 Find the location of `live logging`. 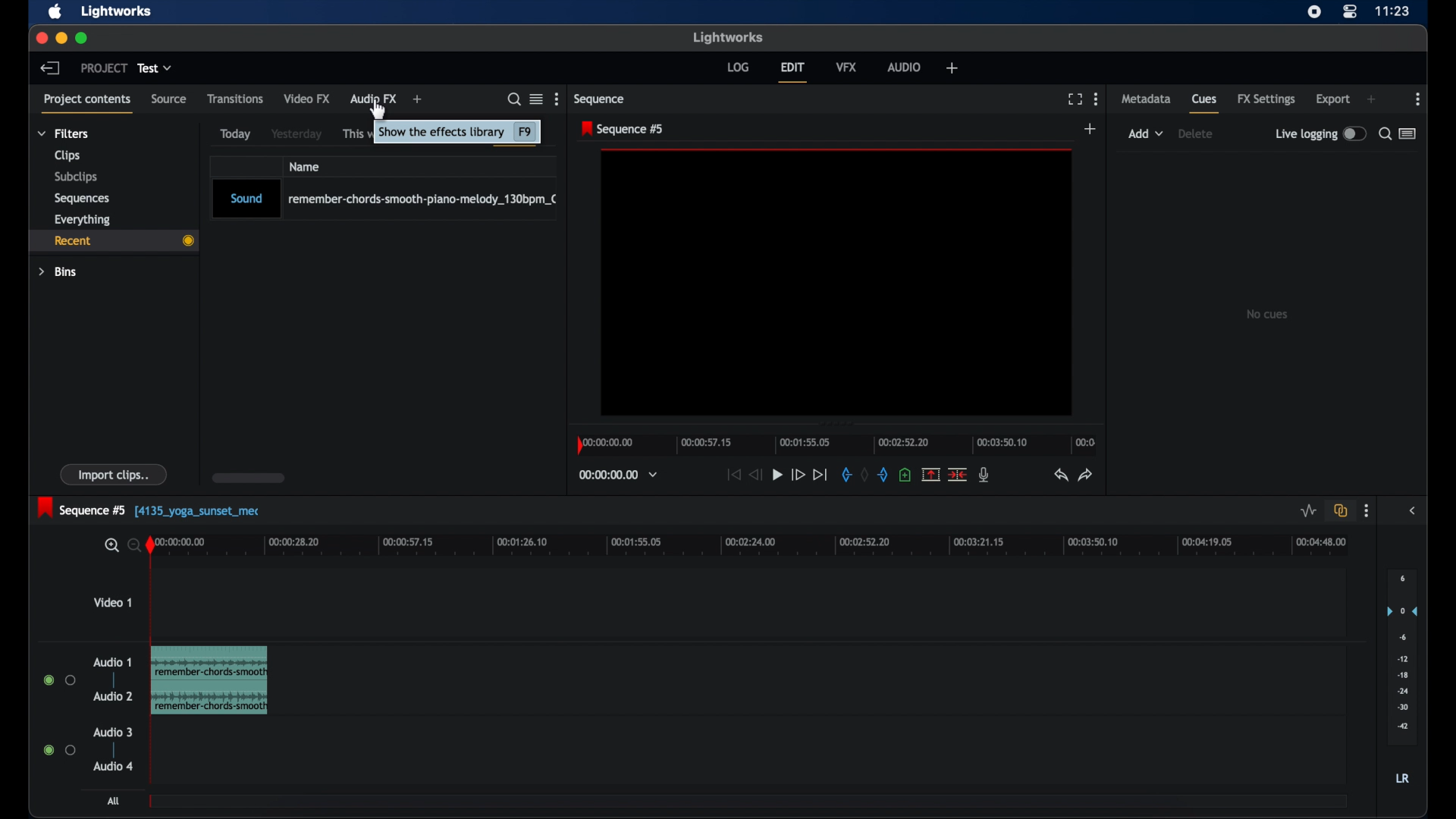

live logging is located at coordinates (1319, 133).